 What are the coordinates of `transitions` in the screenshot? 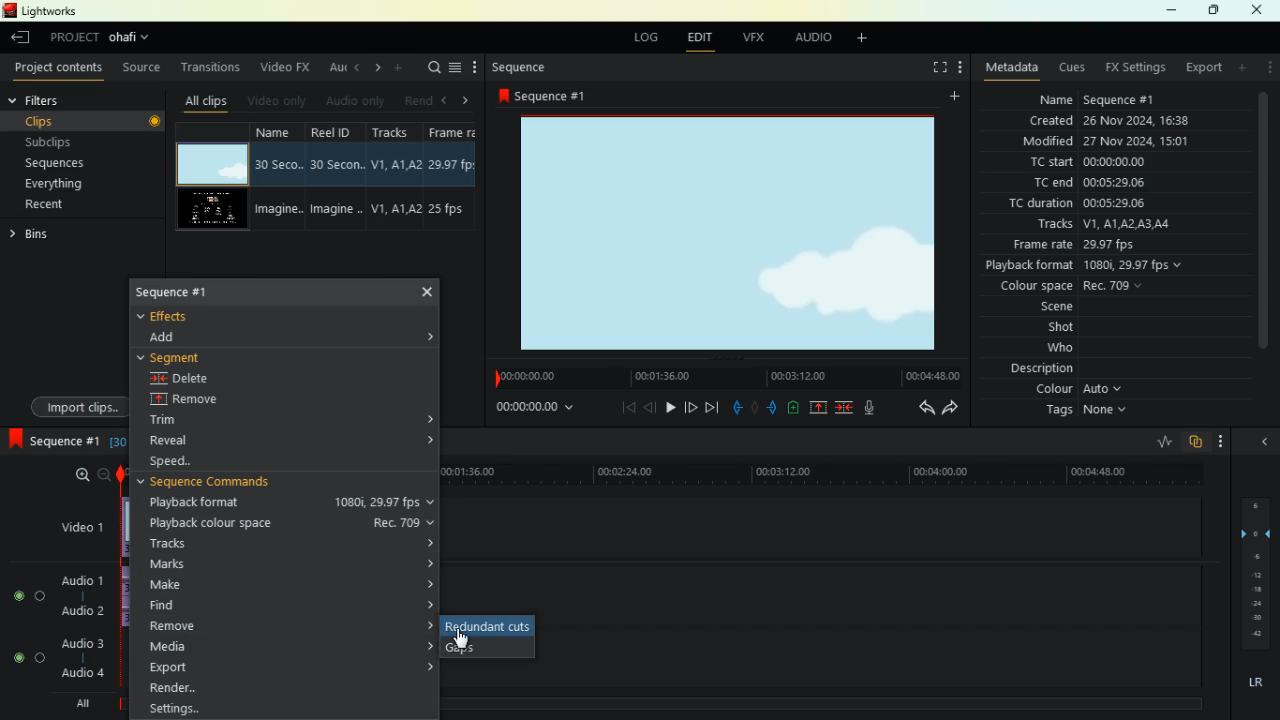 It's located at (214, 67).